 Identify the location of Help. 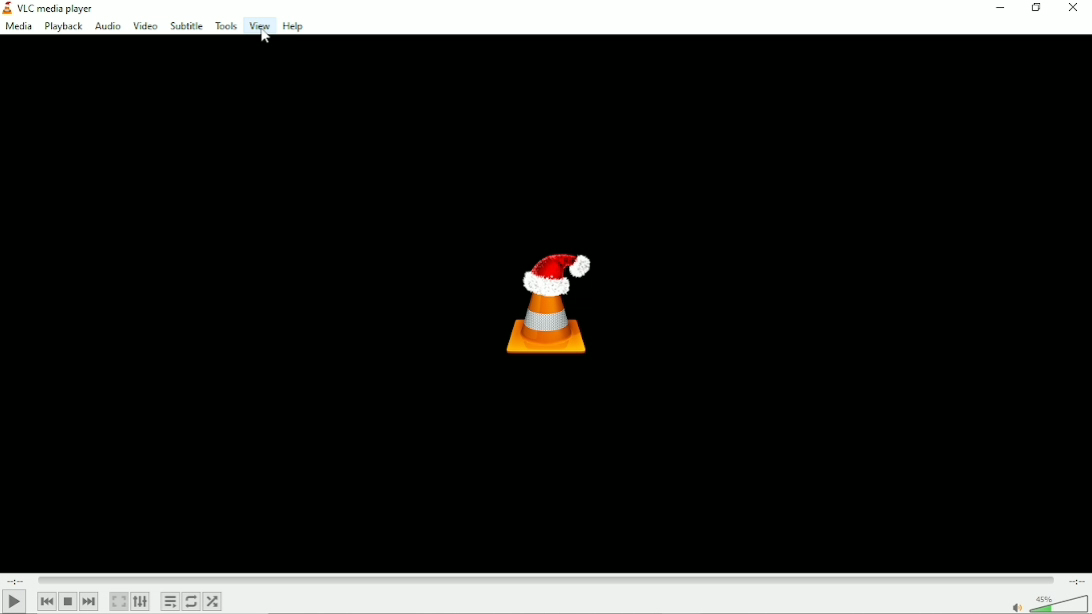
(292, 26).